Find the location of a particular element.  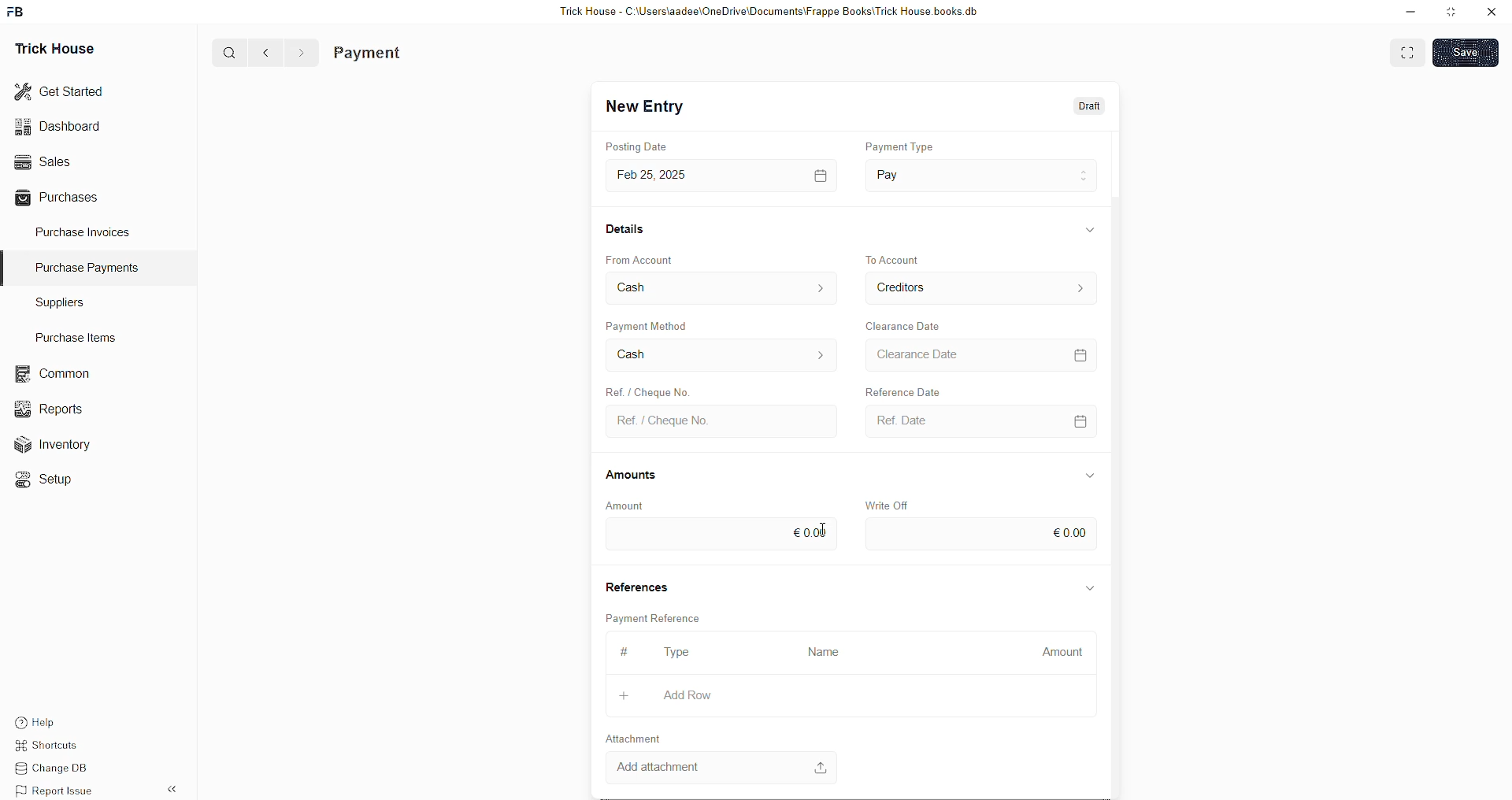

Reference Date is located at coordinates (895, 391).